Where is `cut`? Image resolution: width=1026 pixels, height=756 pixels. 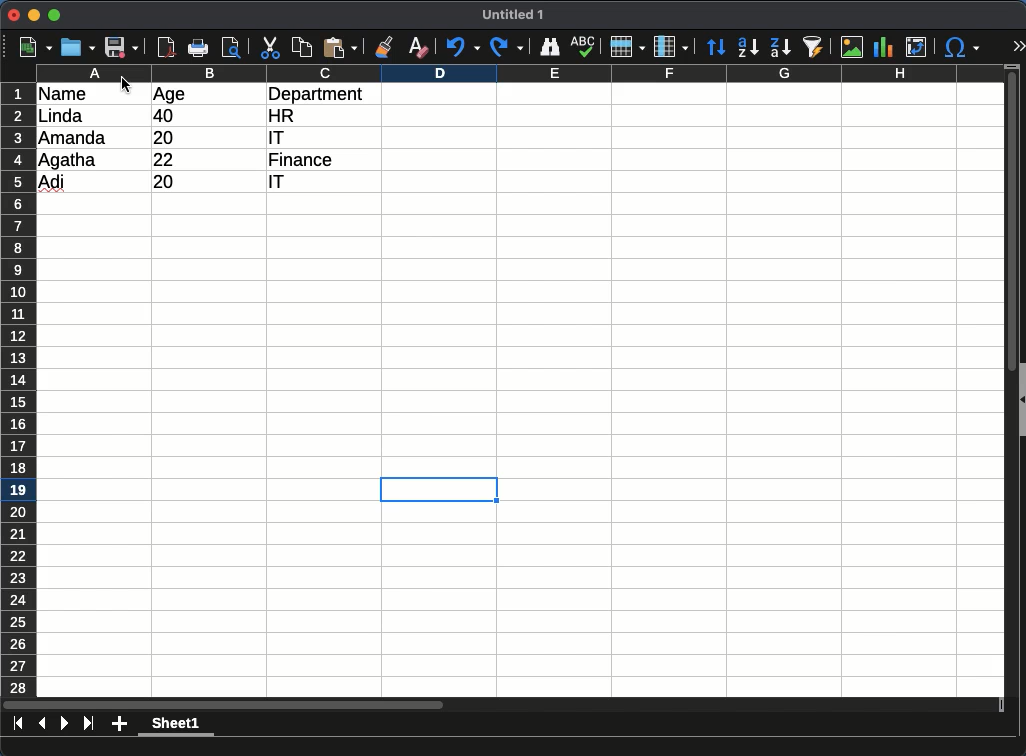 cut is located at coordinates (271, 47).